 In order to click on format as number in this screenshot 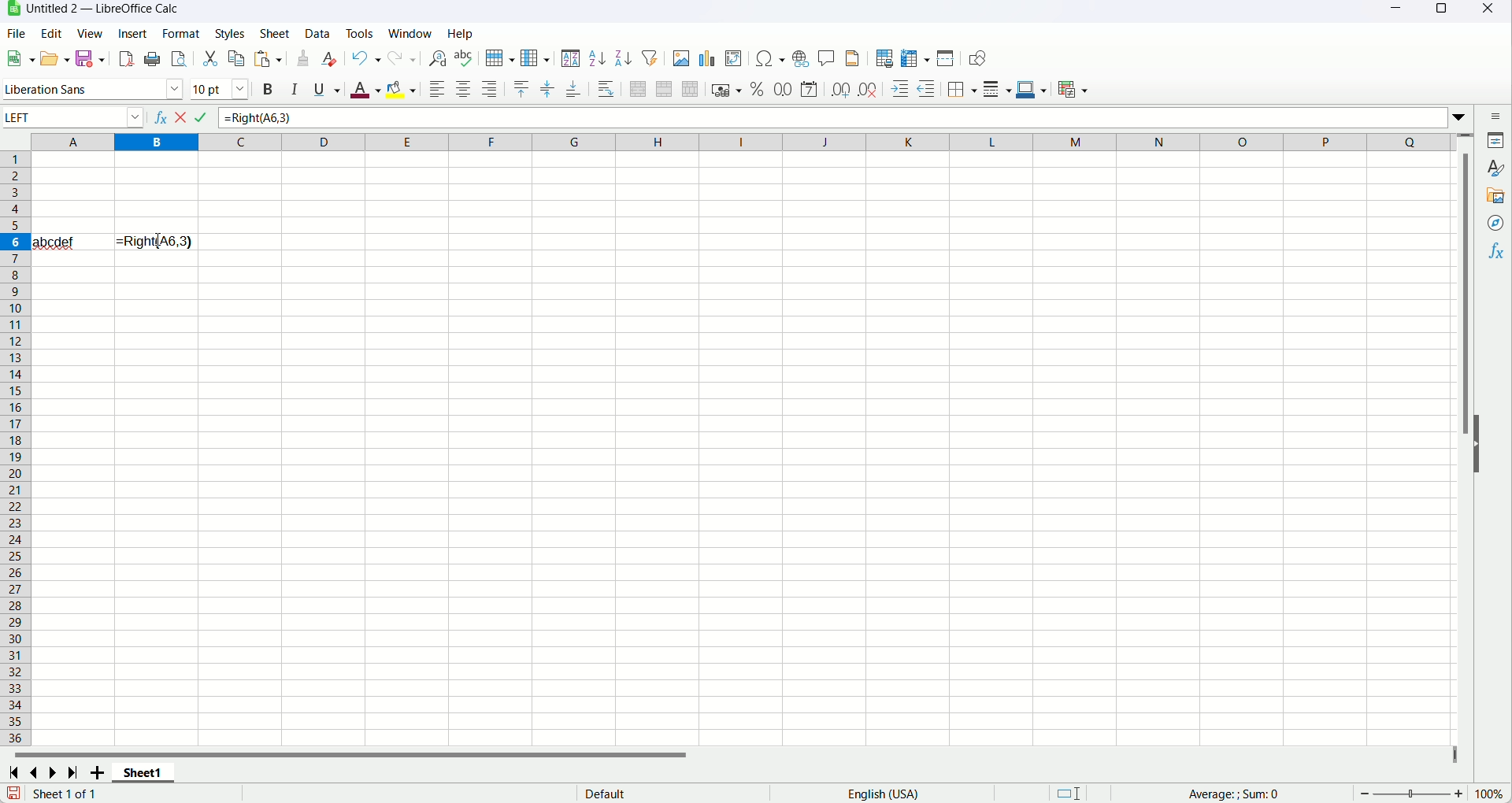, I will do `click(784, 89)`.